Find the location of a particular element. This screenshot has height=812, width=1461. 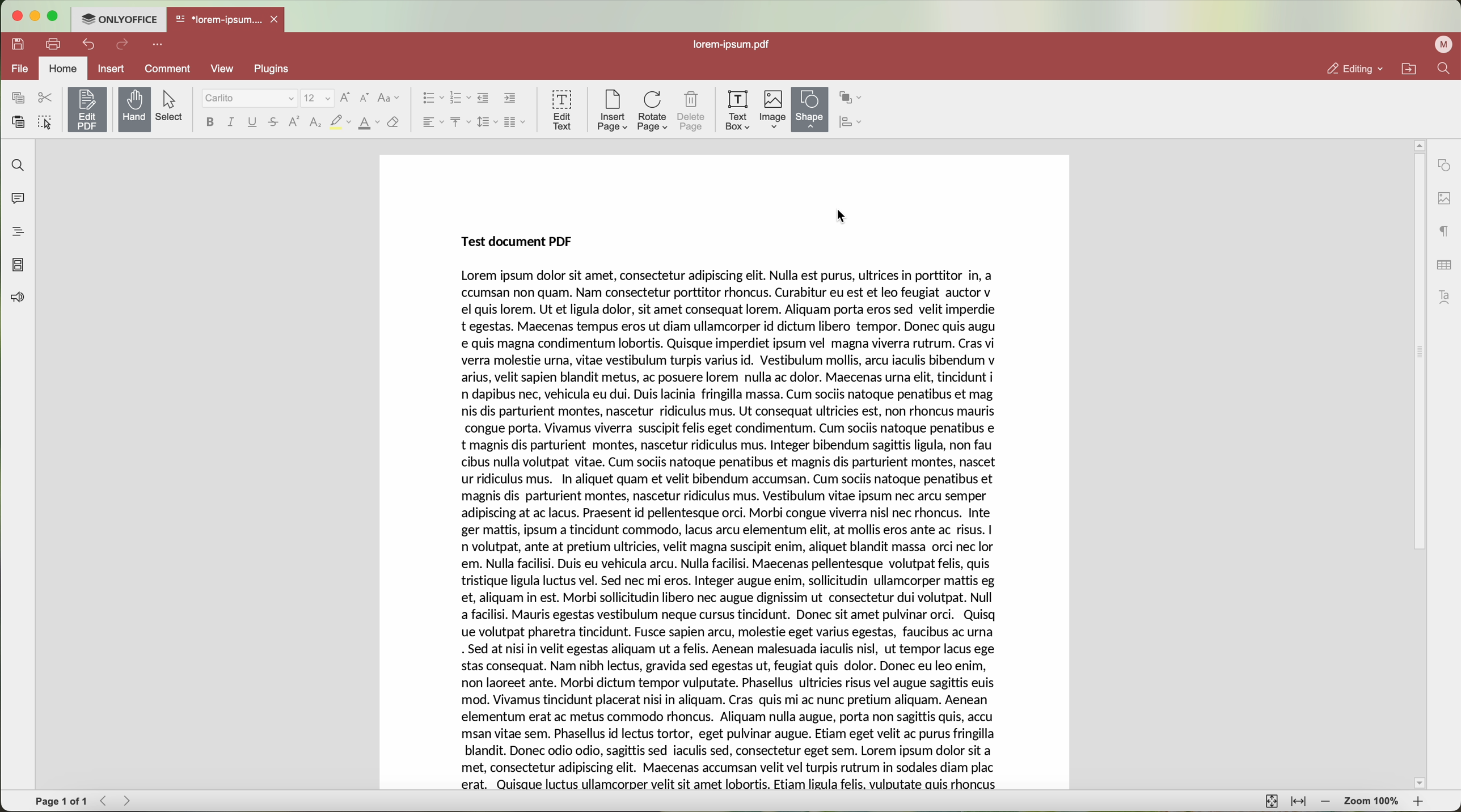

home is located at coordinates (65, 67).